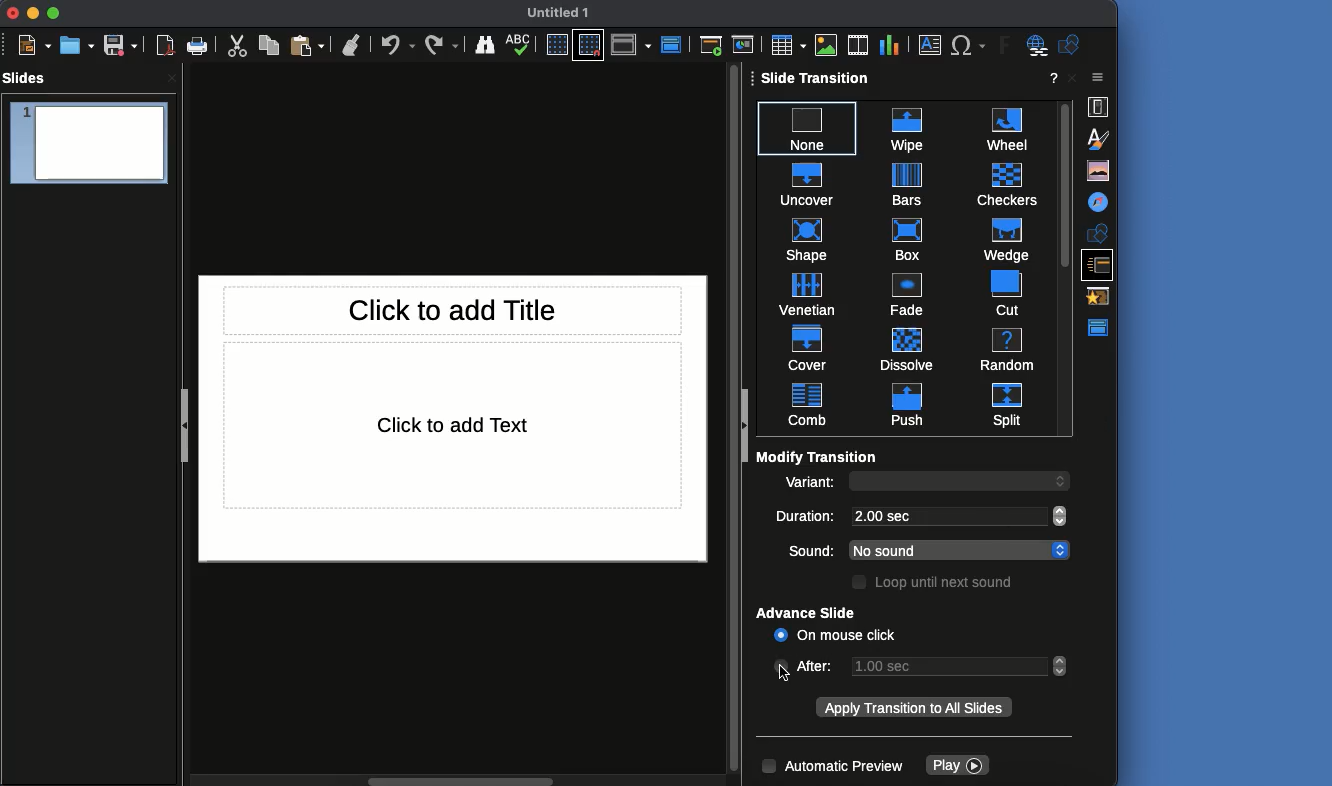  What do you see at coordinates (837, 637) in the screenshot?
I see `On mouse click` at bounding box center [837, 637].